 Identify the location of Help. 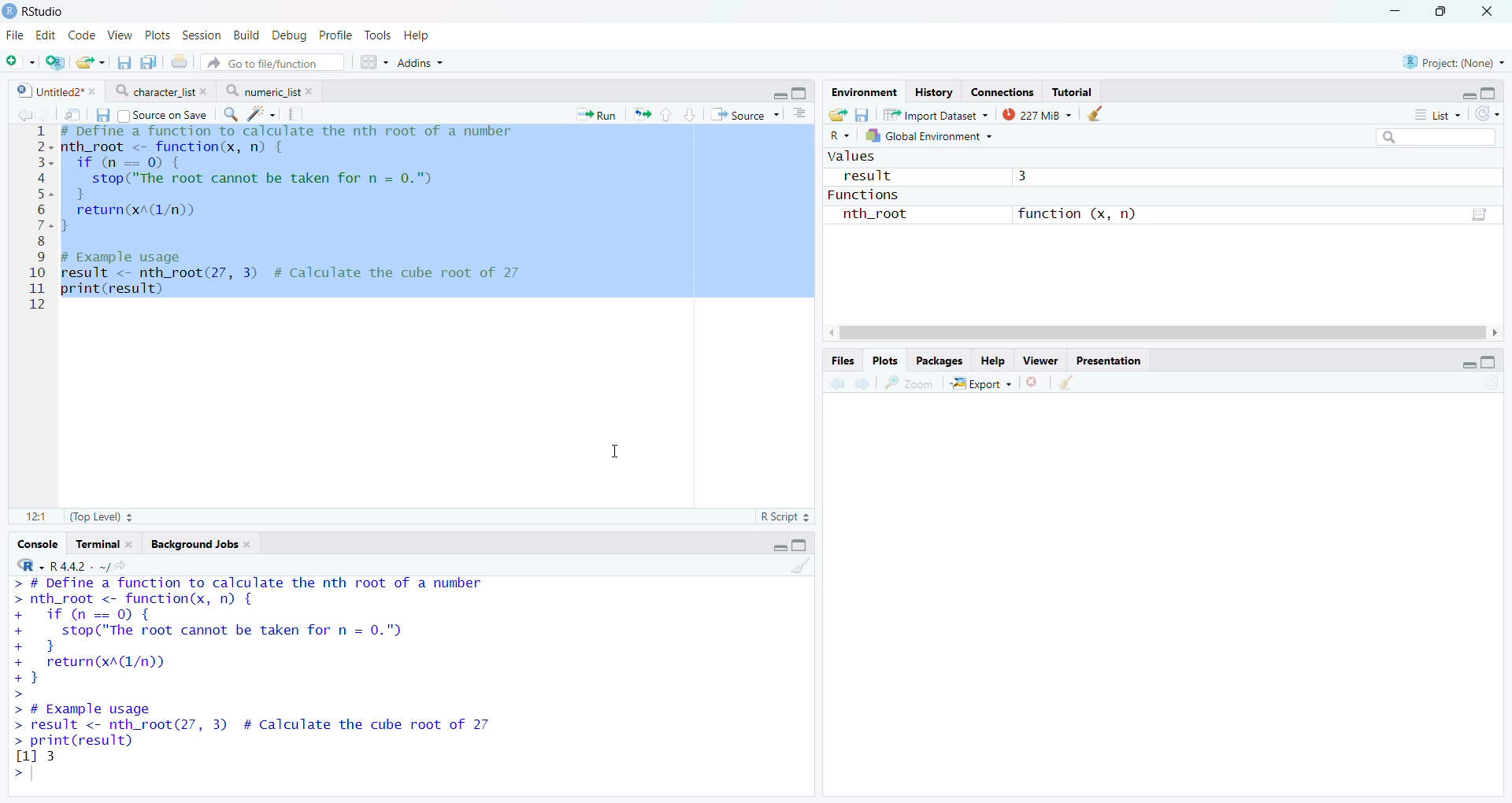
(420, 35).